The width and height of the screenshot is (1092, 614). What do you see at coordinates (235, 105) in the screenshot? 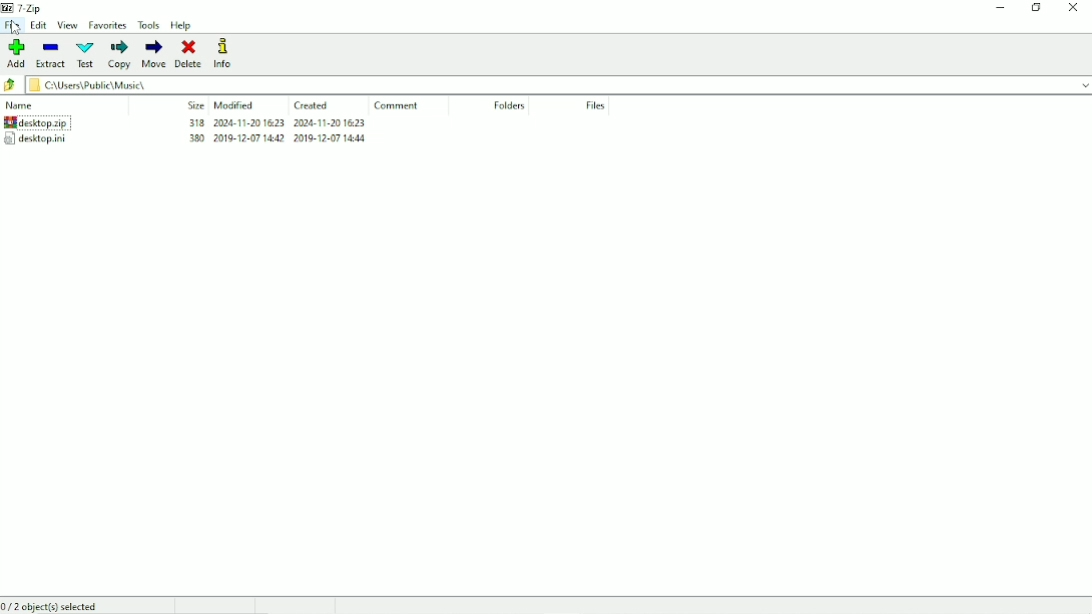
I see `Modified` at bounding box center [235, 105].